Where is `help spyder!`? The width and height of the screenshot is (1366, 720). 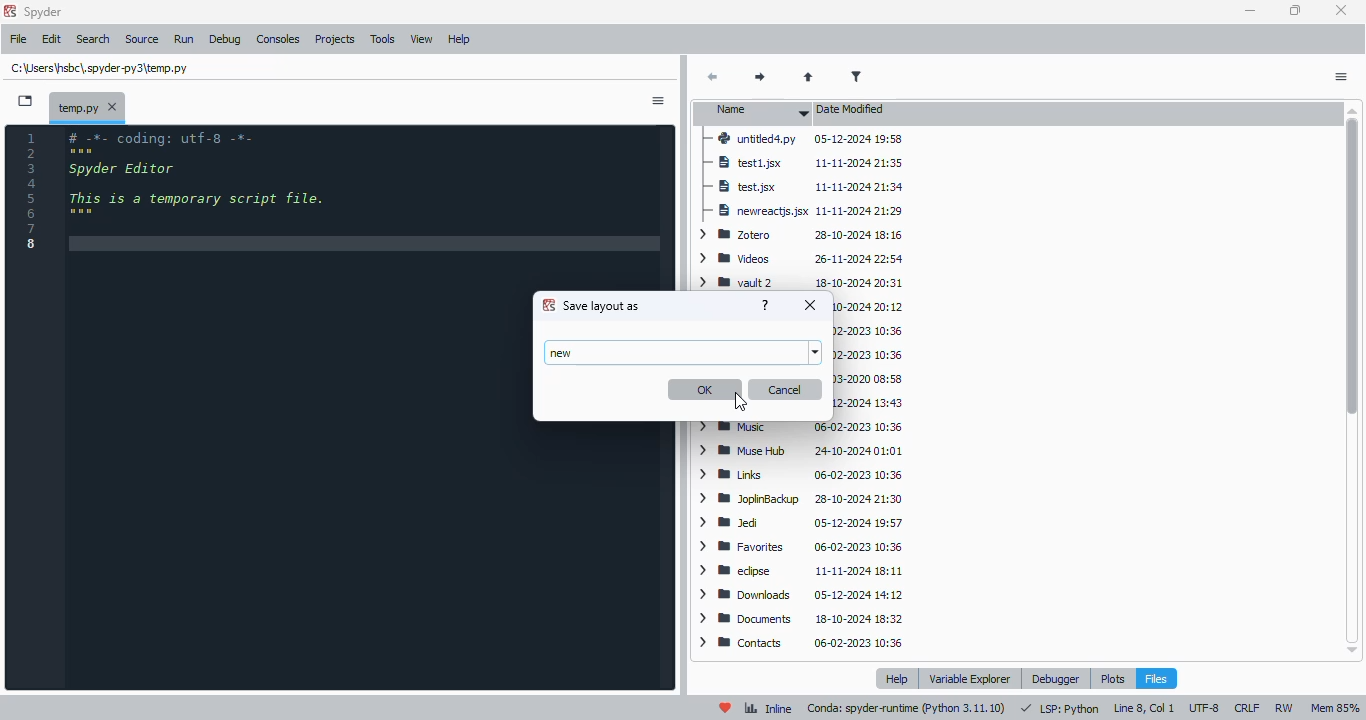 help spyder! is located at coordinates (726, 709).